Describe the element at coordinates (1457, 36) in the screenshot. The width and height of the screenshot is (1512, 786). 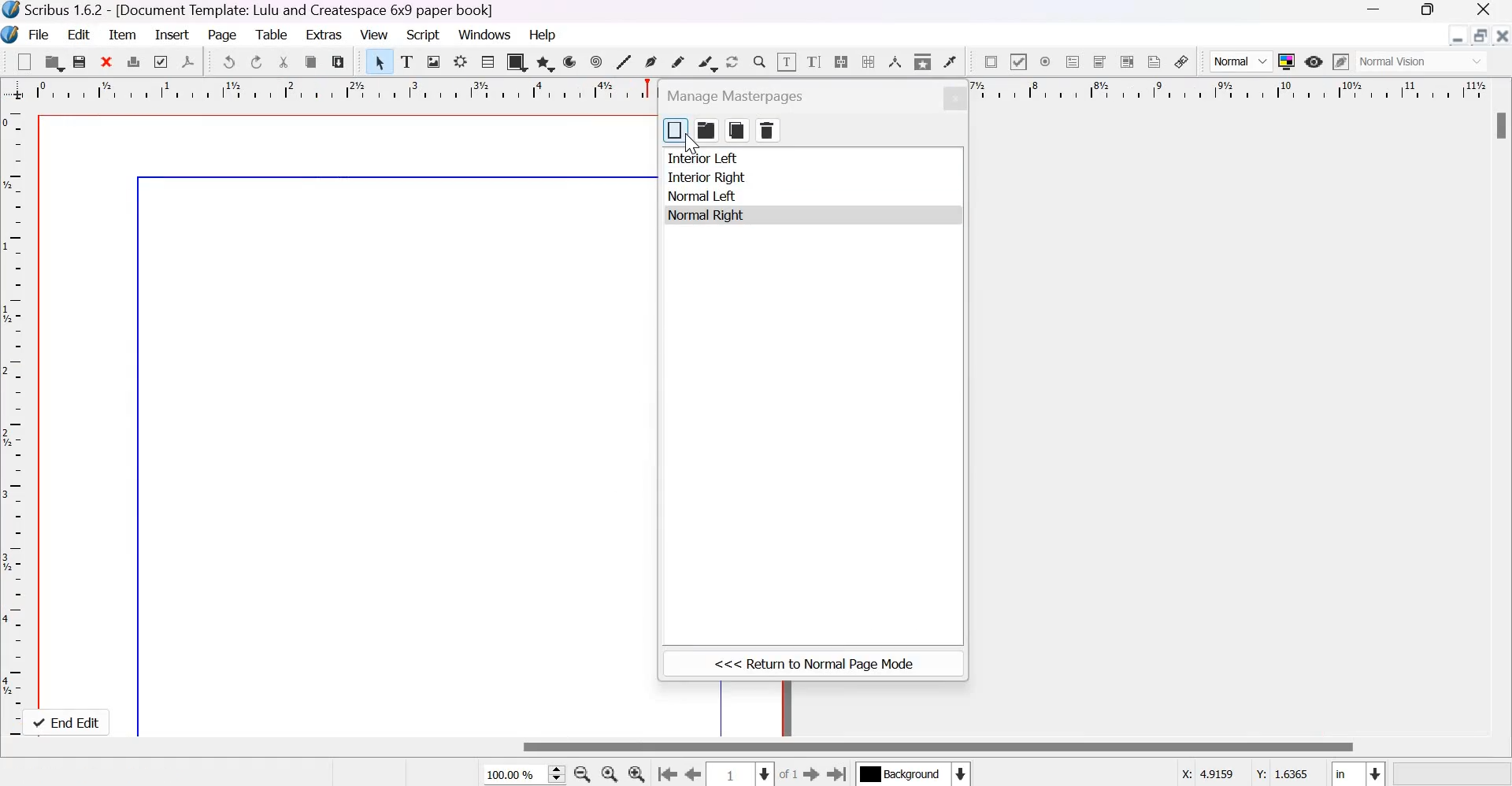
I see `Minimize` at that location.